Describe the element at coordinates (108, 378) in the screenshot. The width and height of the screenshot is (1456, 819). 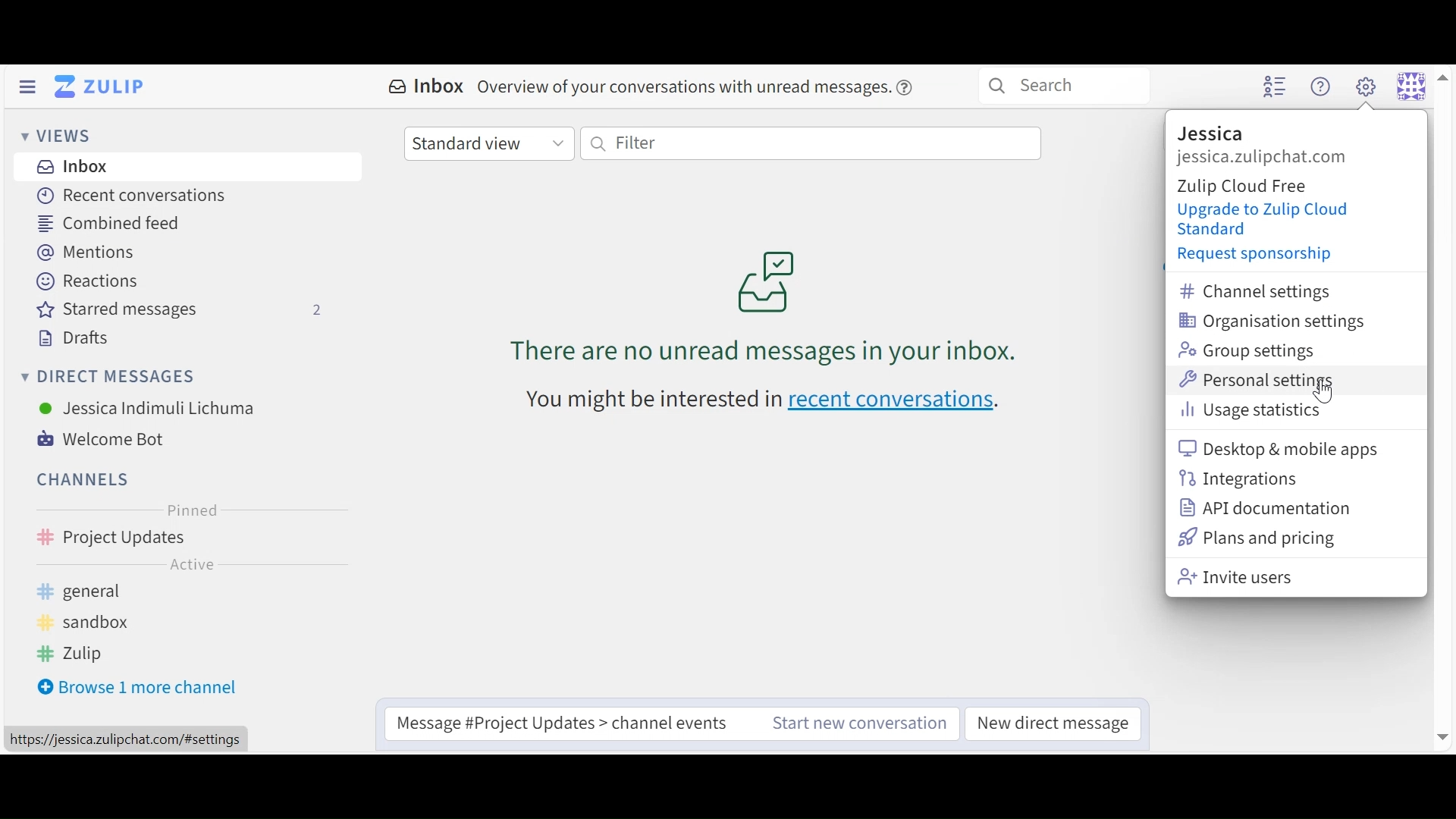
I see `Direct Messages` at that location.